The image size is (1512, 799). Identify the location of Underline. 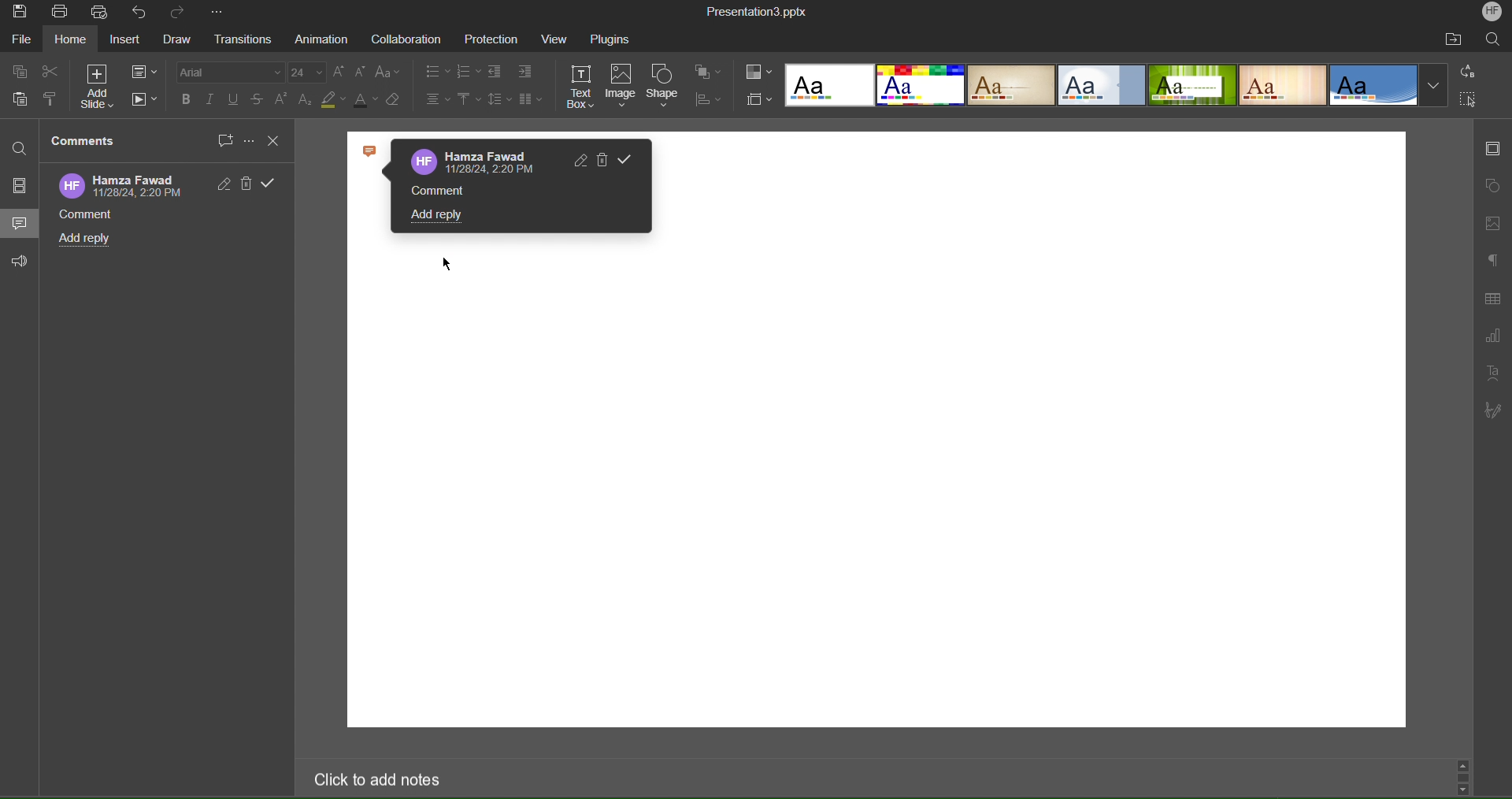
(234, 99).